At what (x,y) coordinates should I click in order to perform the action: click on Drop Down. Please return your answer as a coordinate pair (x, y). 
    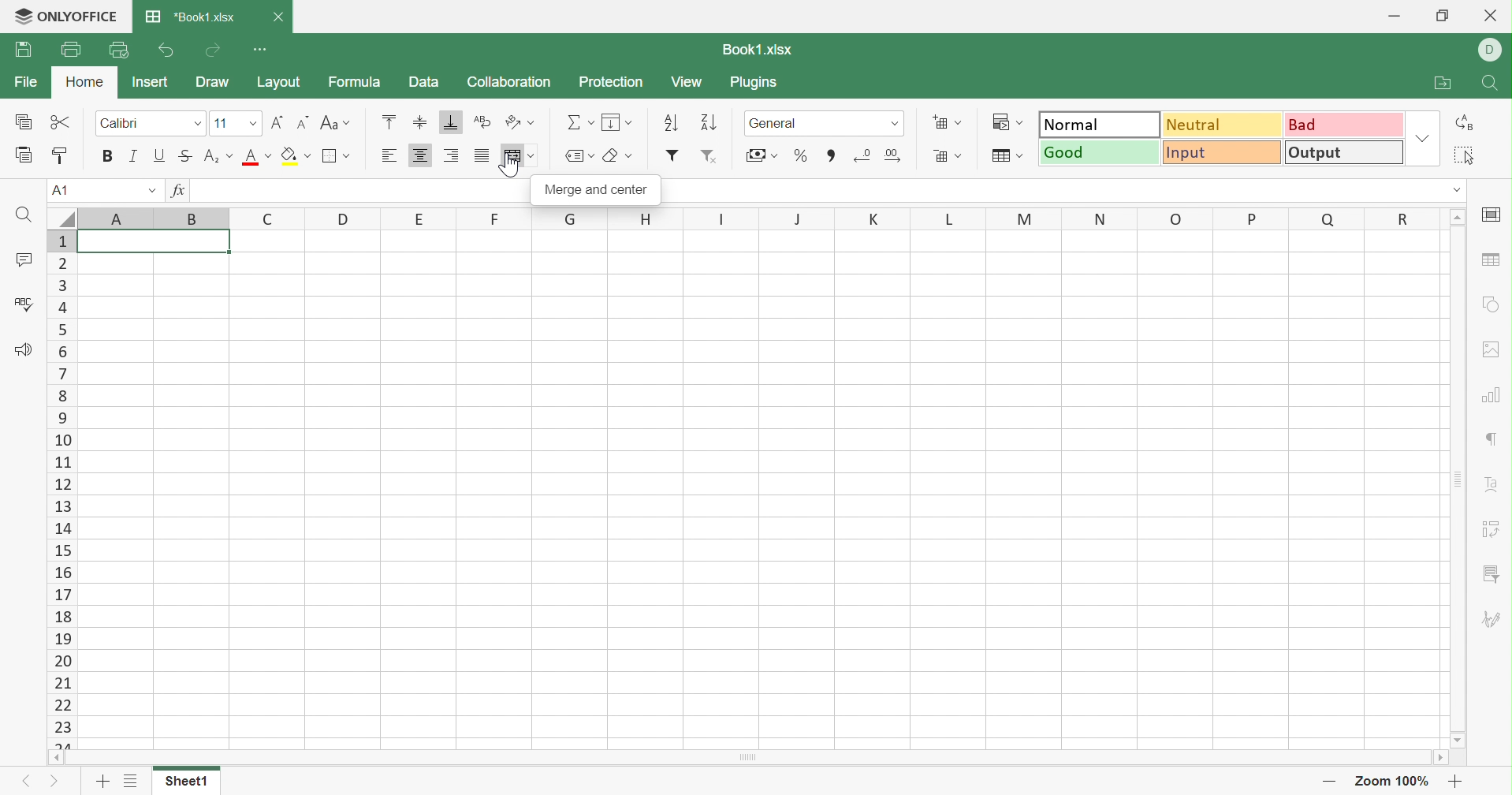
    Looking at the image, I should click on (895, 122).